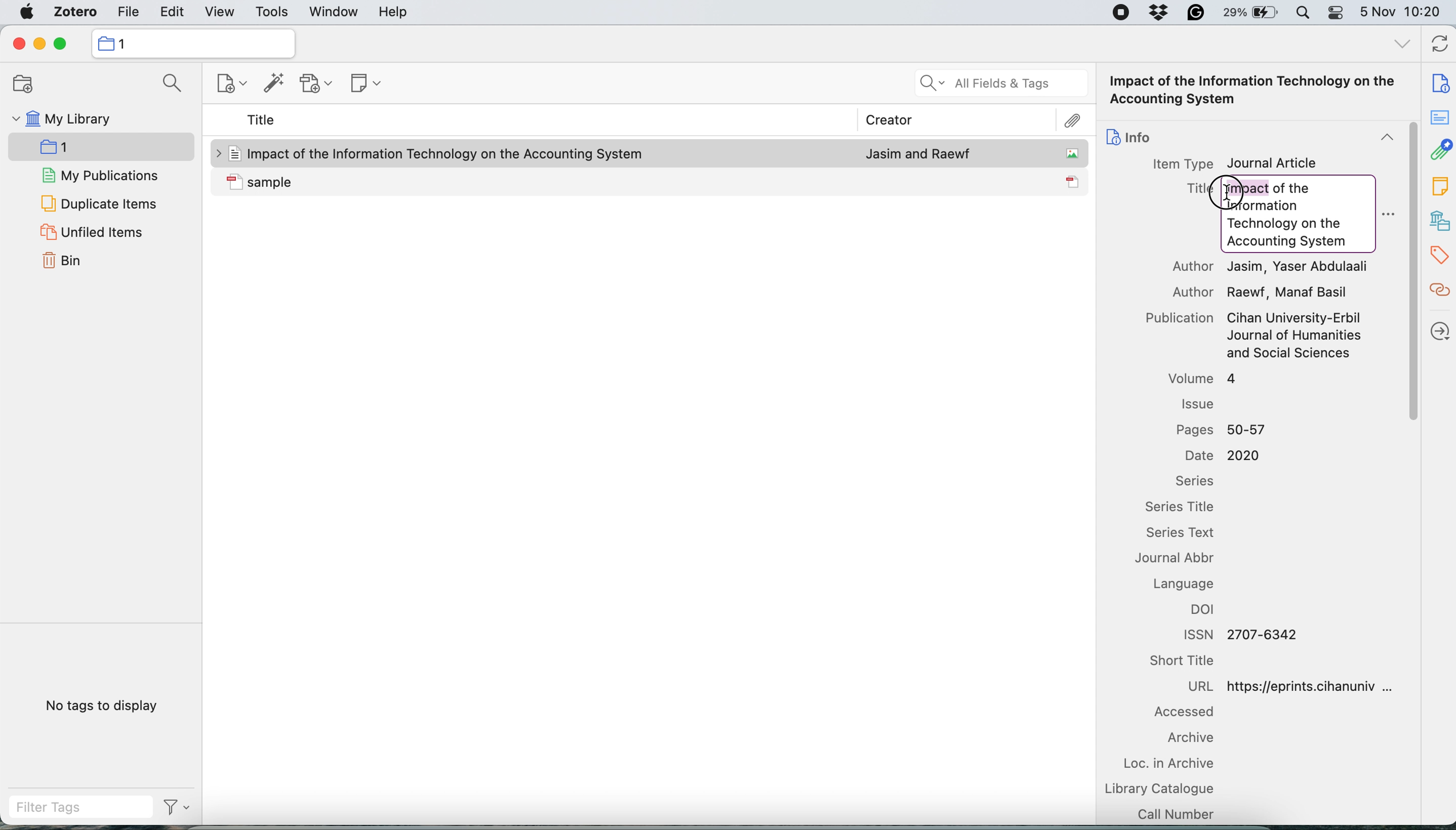  What do you see at coordinates (1141, 137) in the screenshot?
I see `info` at bounding box center [1141, 137].